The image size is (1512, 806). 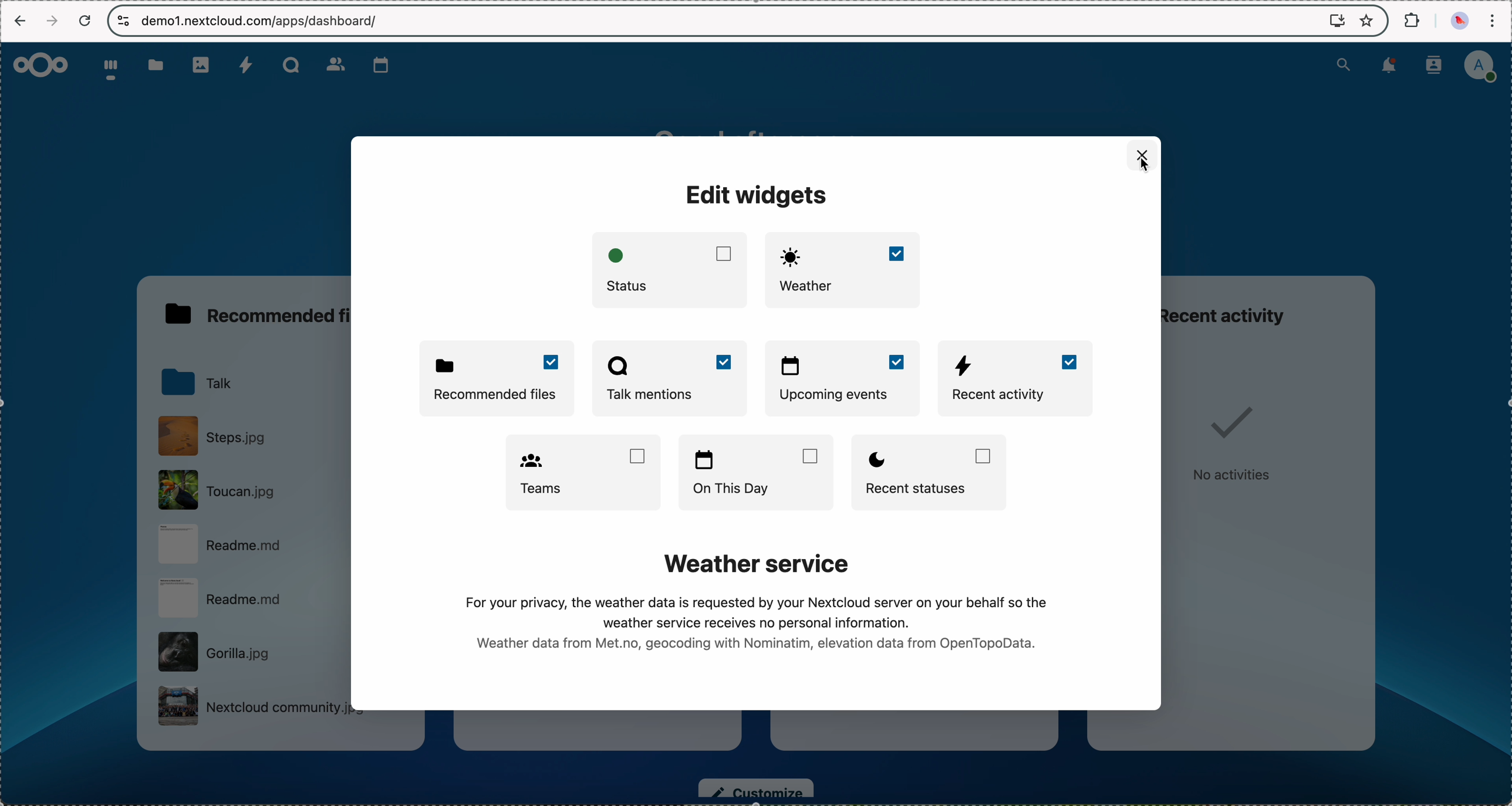 What do you see at coordinates (843, 269) in the screenshot?
I see `click on weather` at bounding box center [843, 269].